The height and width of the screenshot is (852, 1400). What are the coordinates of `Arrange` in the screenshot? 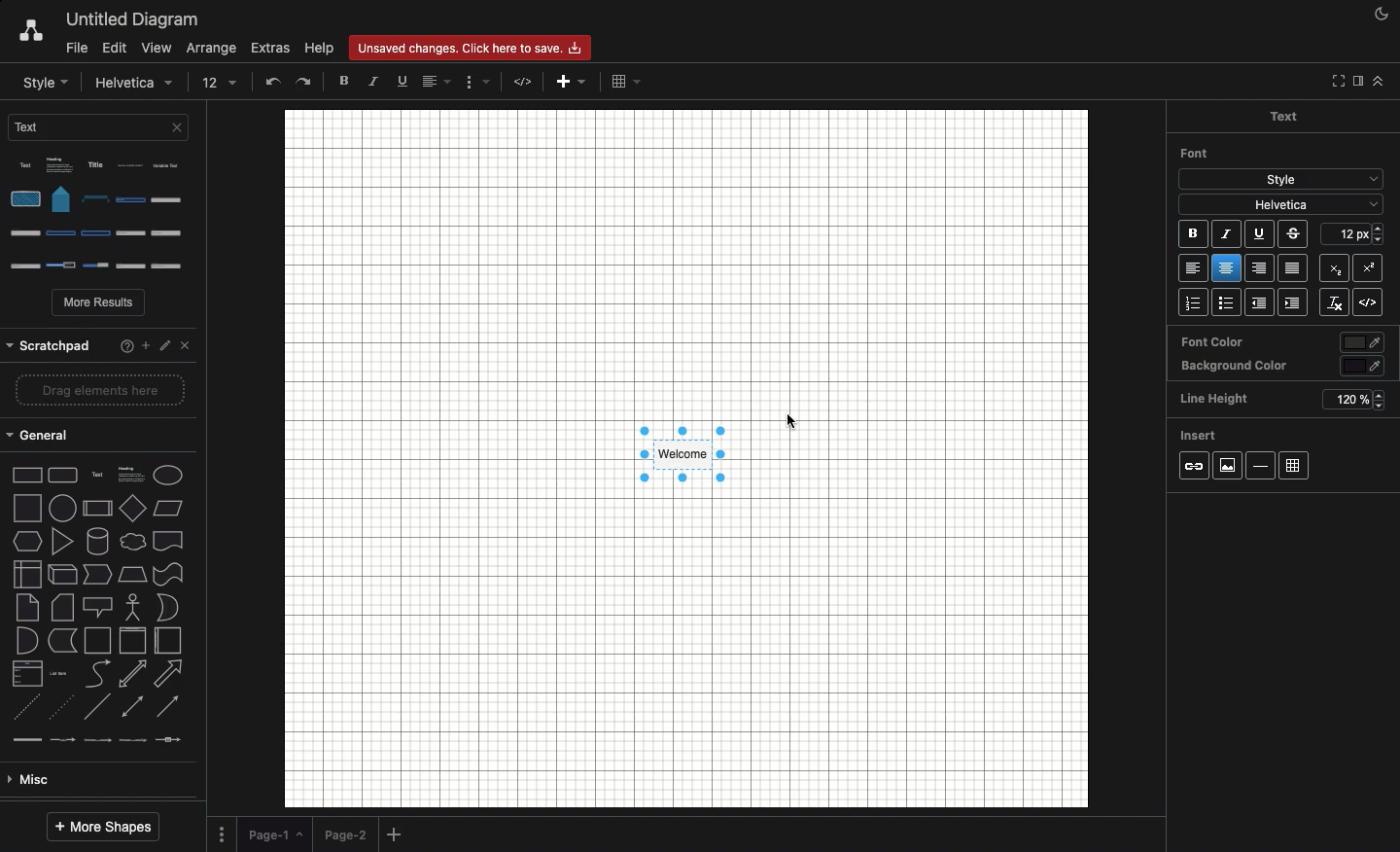 It's located at (214, 47).